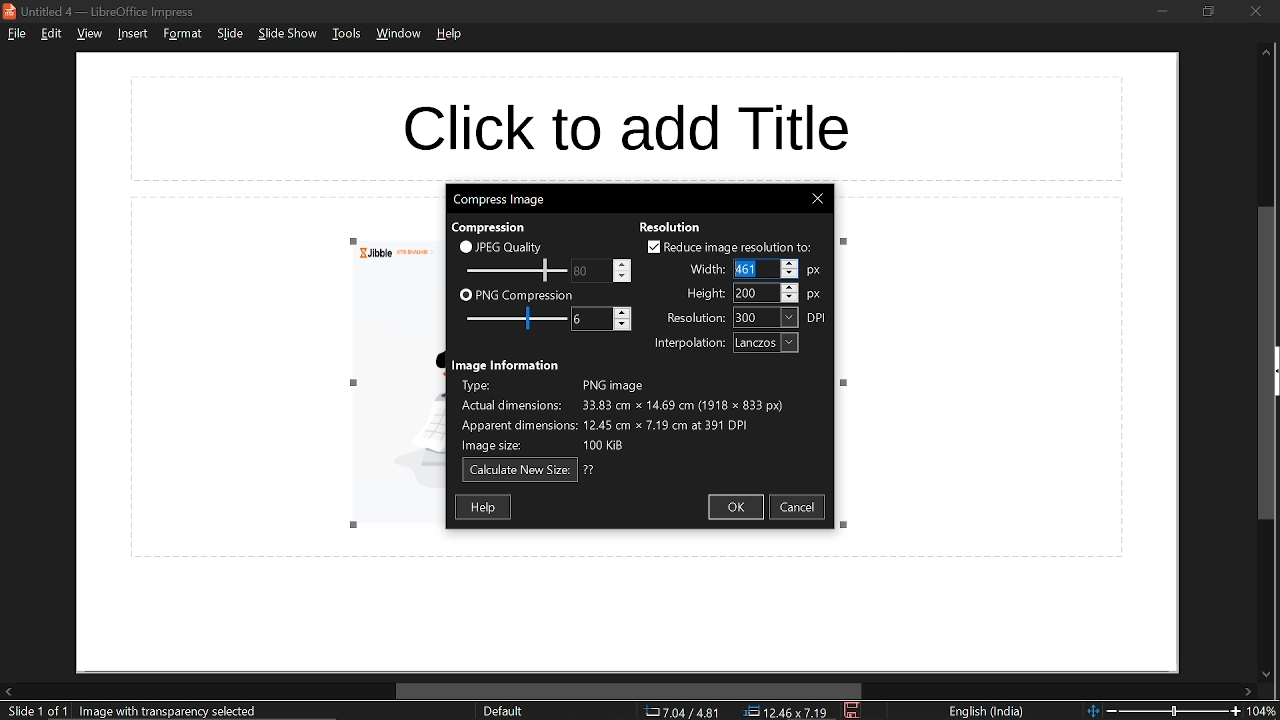 This screenshot has height=720, width=1280. Describe the element at coordinates (517, 269) in the screenshot. I see `JPEG quality scale` at that location.